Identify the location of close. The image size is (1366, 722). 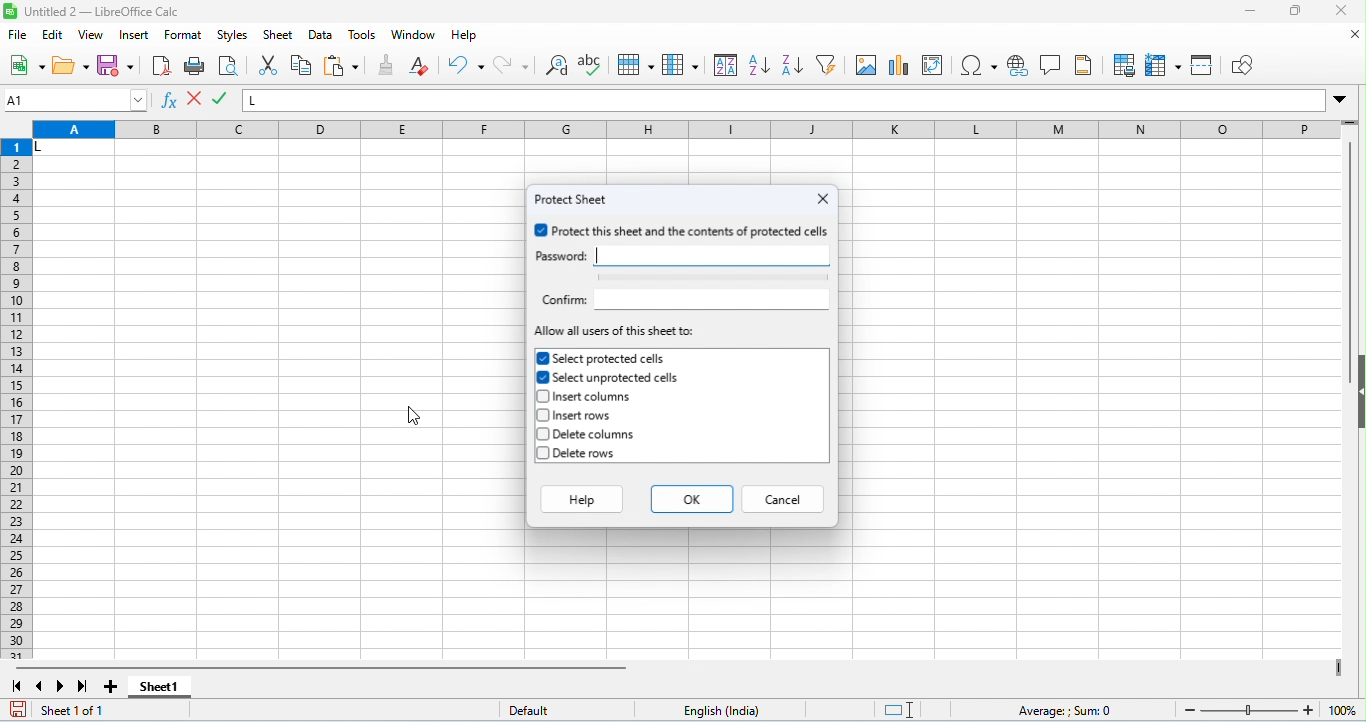
(1339, 11).